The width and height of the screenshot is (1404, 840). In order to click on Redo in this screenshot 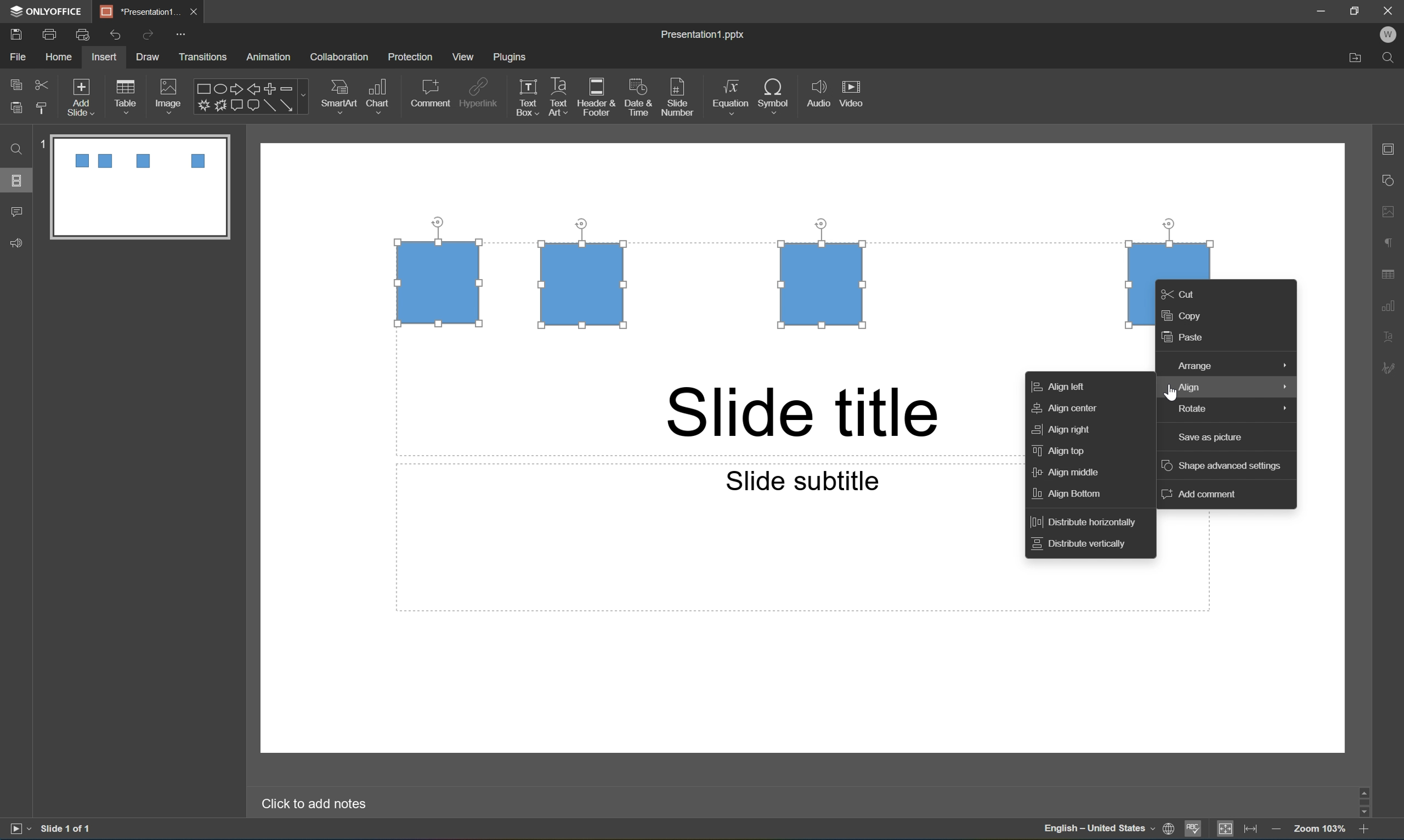, I will do `click(148, 36)`.